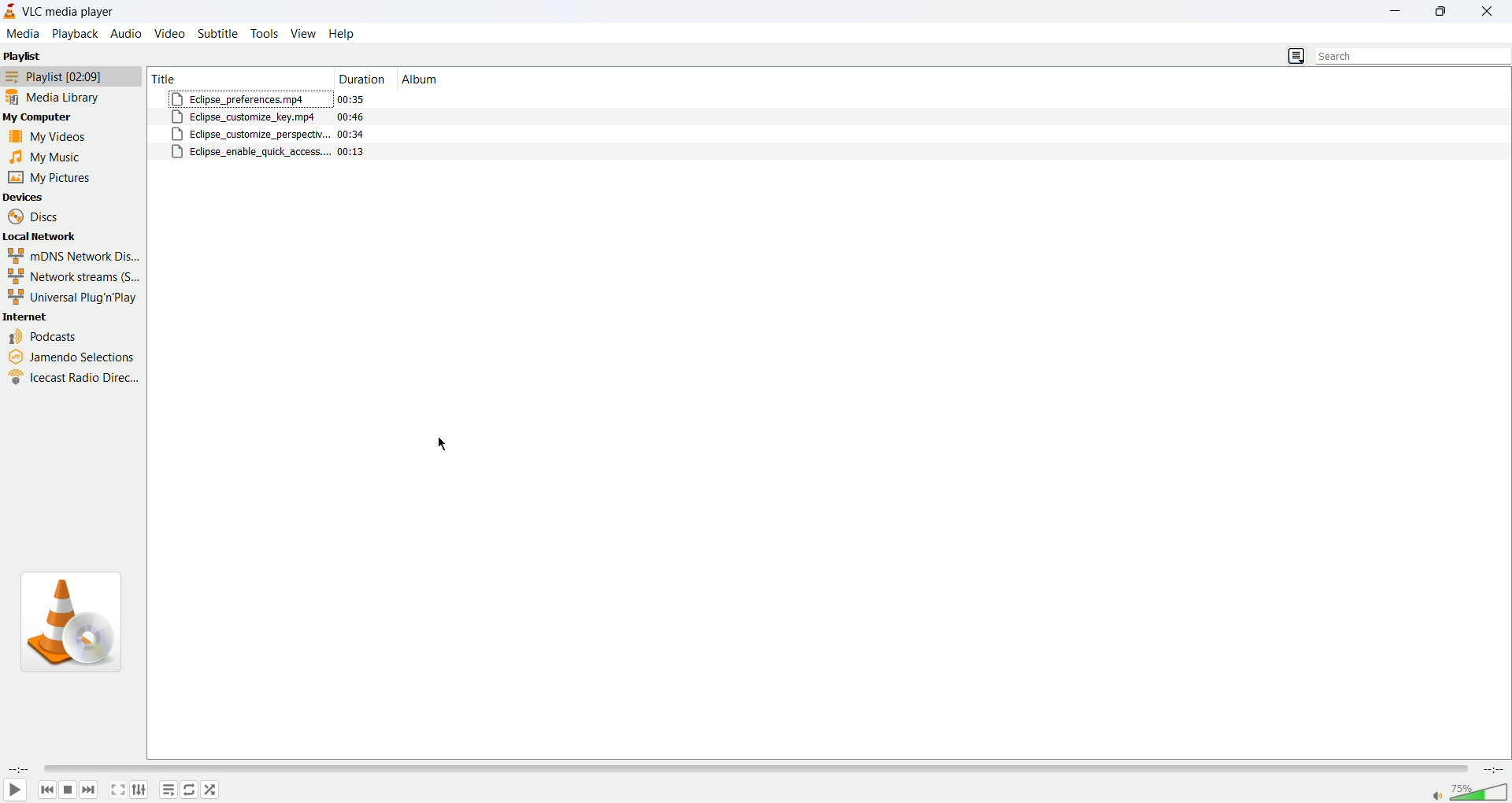 The width and height of the screenshot is (1512, 803). Describe the element at coordinates (172, 34) in the screenshot. I see `video` at that location.